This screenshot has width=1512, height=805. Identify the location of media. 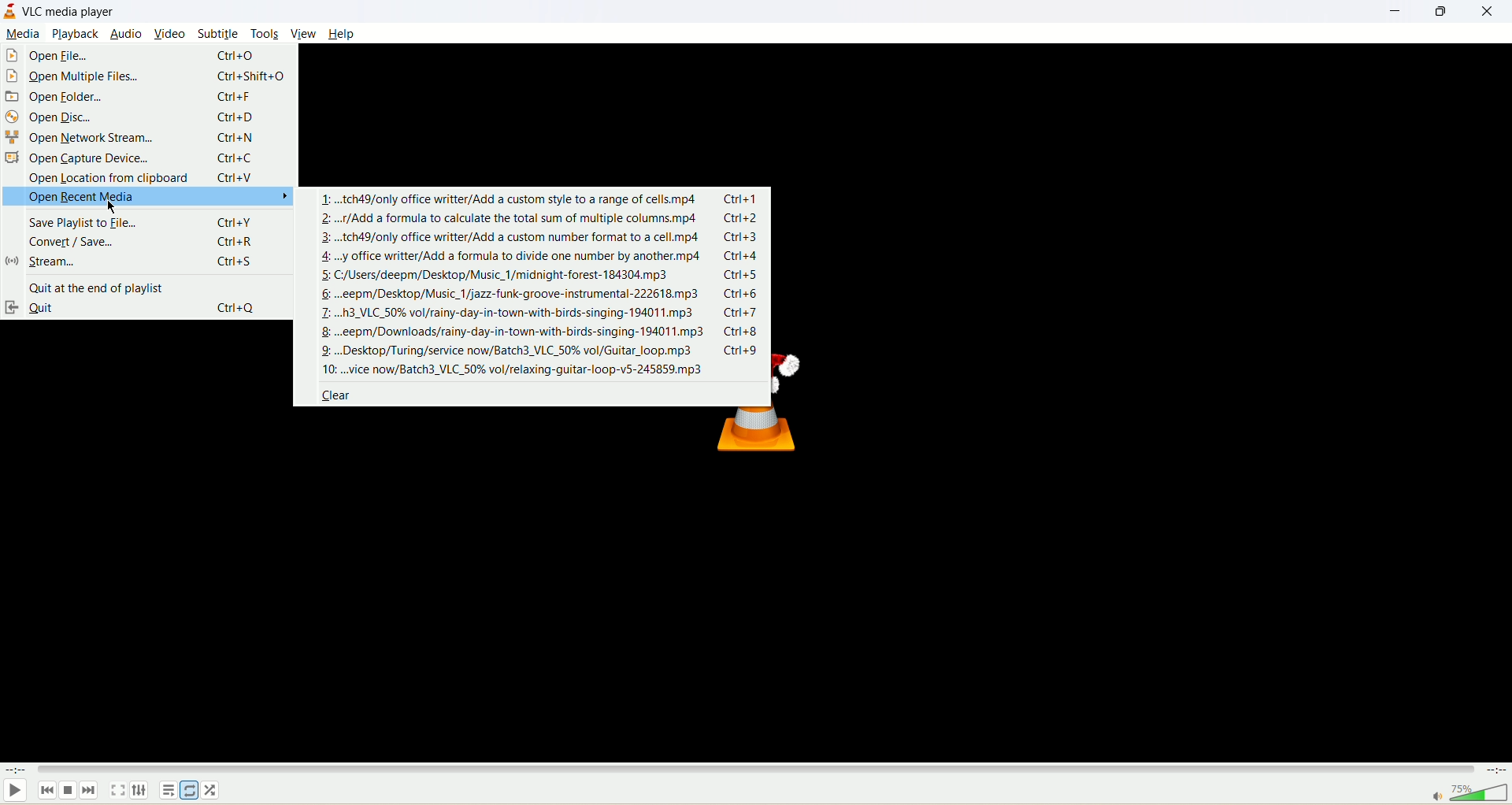
(24, 33).